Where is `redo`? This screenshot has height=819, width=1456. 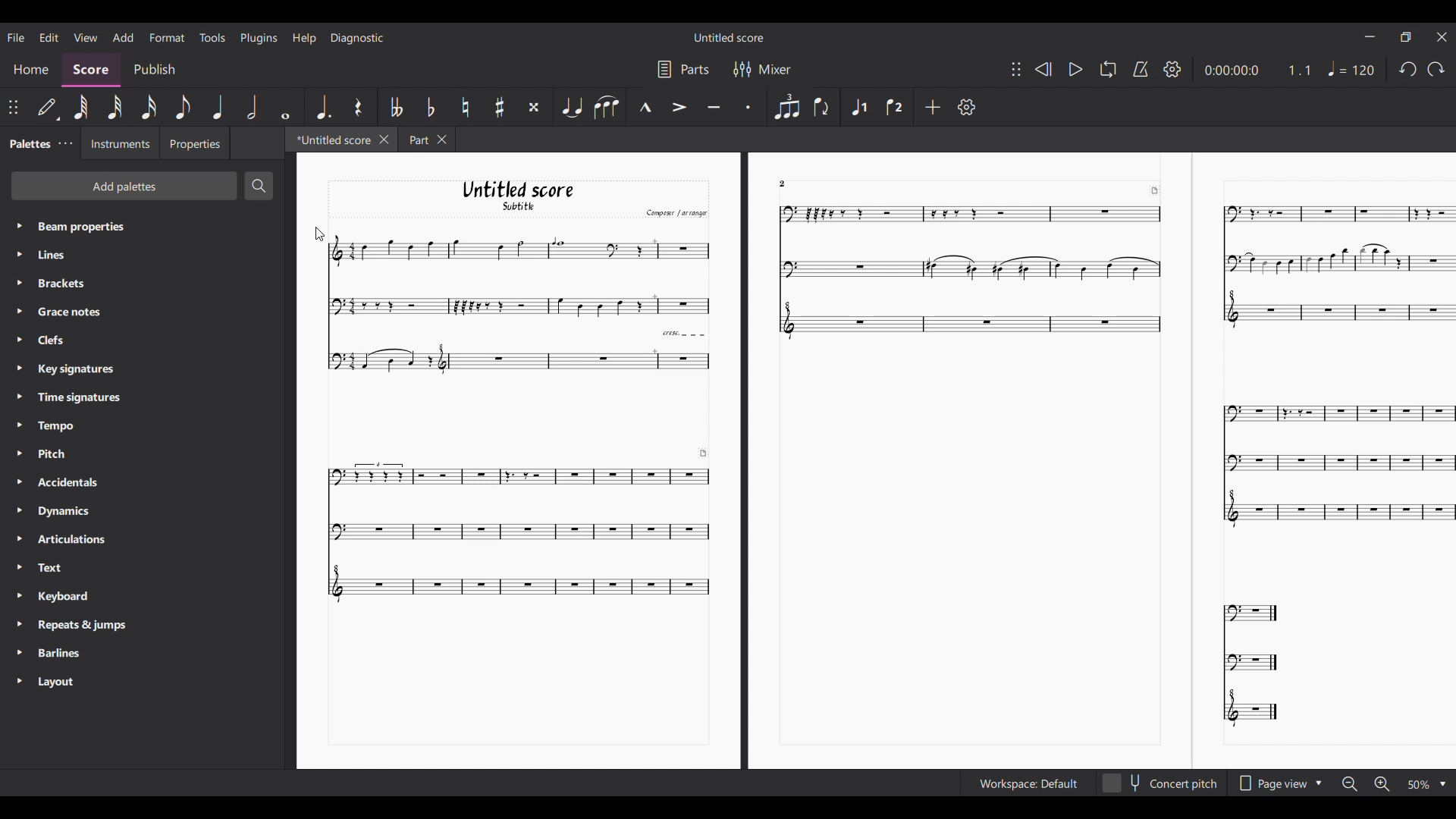 redo is located at coordinates (1406, 73).